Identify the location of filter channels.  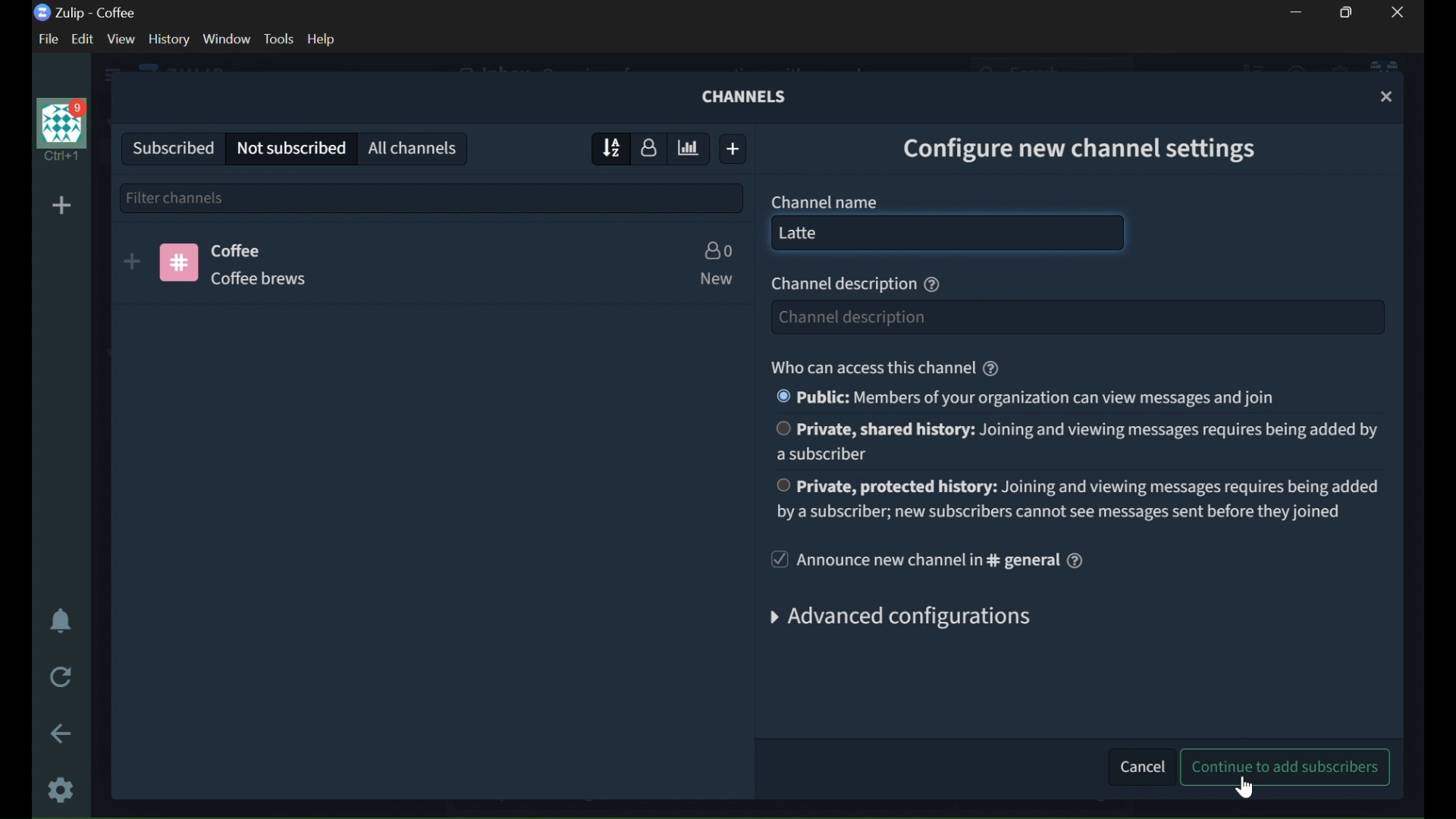
(432, 196).